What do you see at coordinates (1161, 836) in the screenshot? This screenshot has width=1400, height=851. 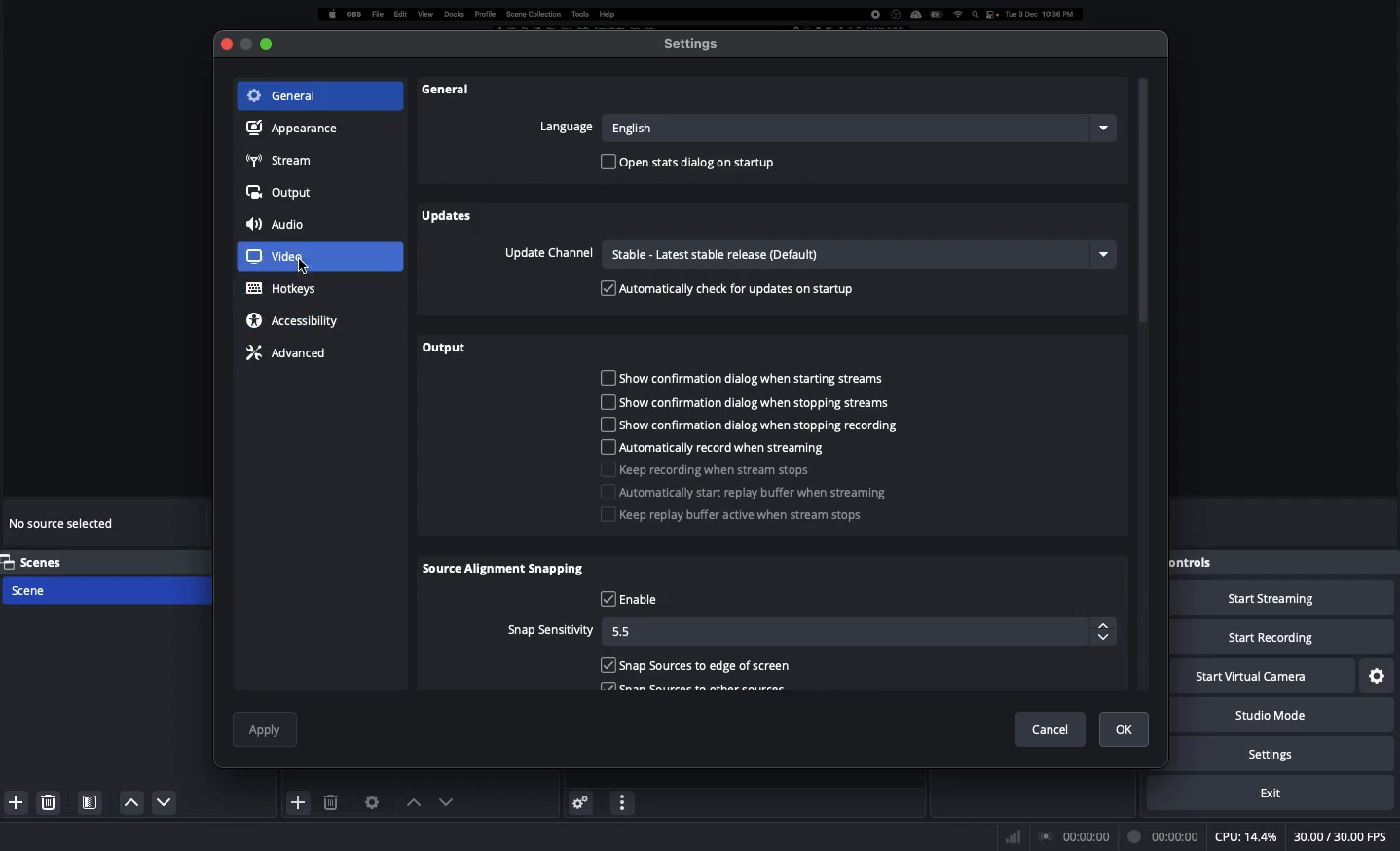 I see `Recording` at bounding box center [1161, 836].